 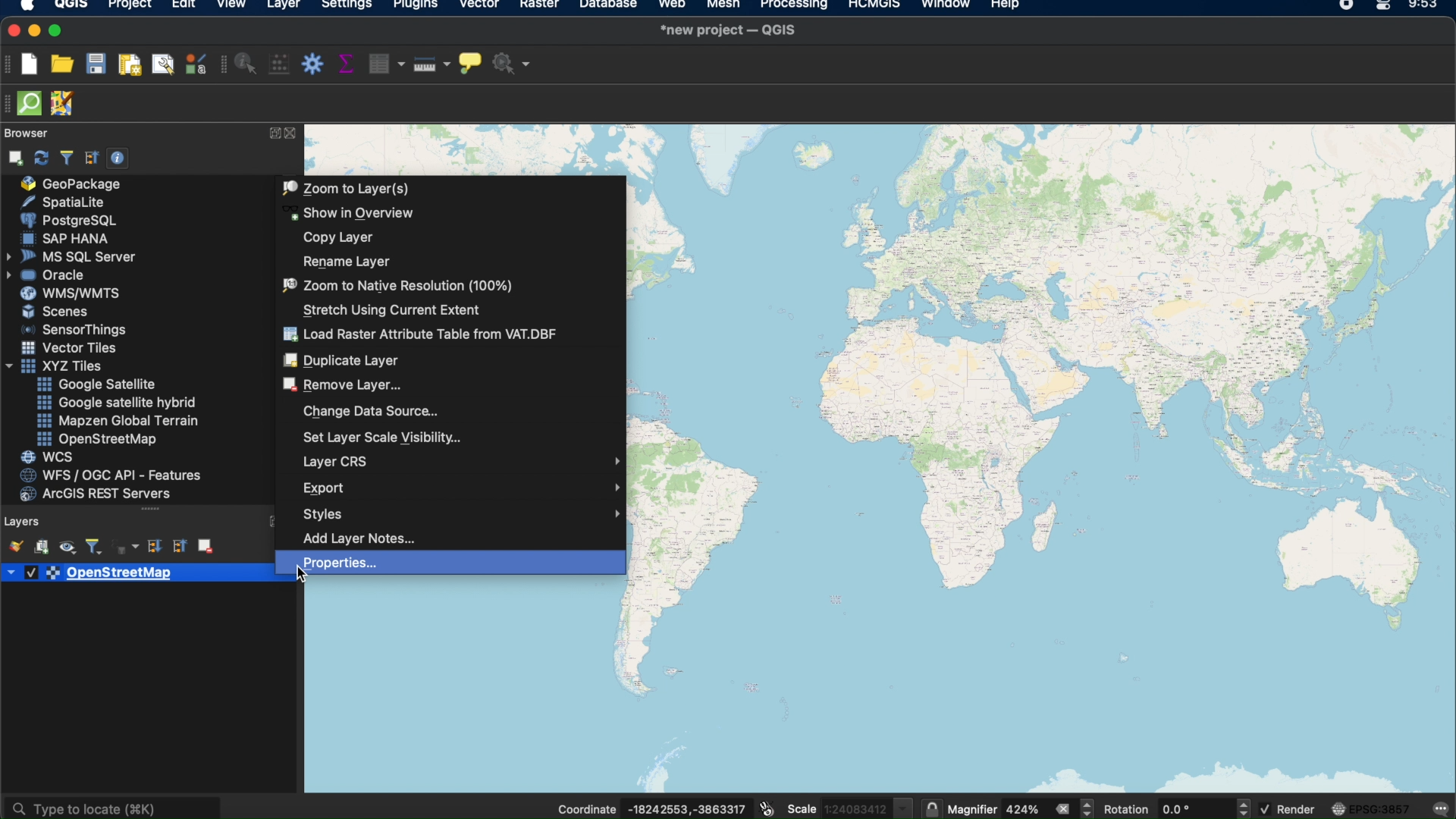 I want to click on style manager, so click(x=194, y=66).